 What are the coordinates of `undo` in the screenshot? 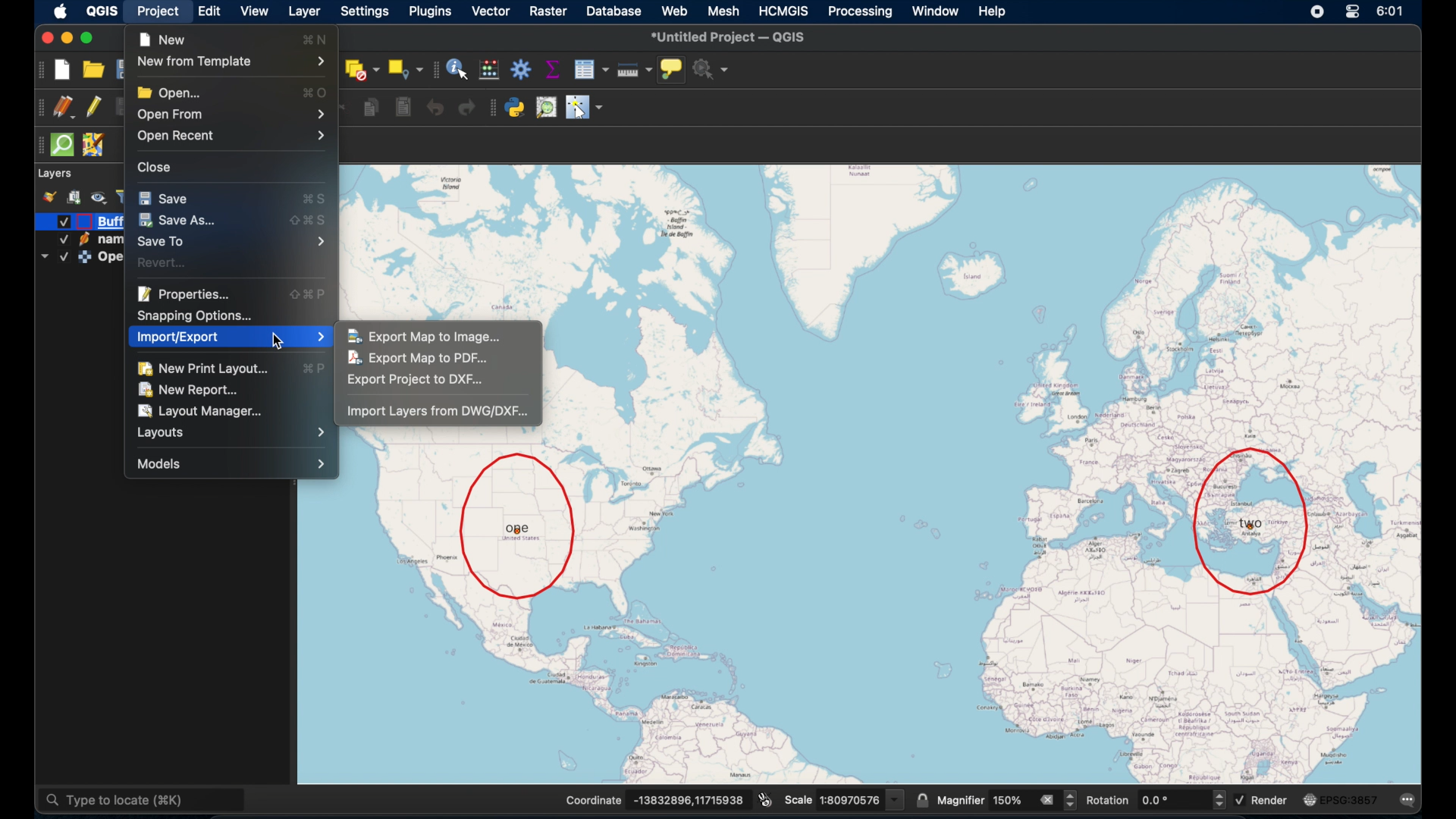 It's located at (434, 108).